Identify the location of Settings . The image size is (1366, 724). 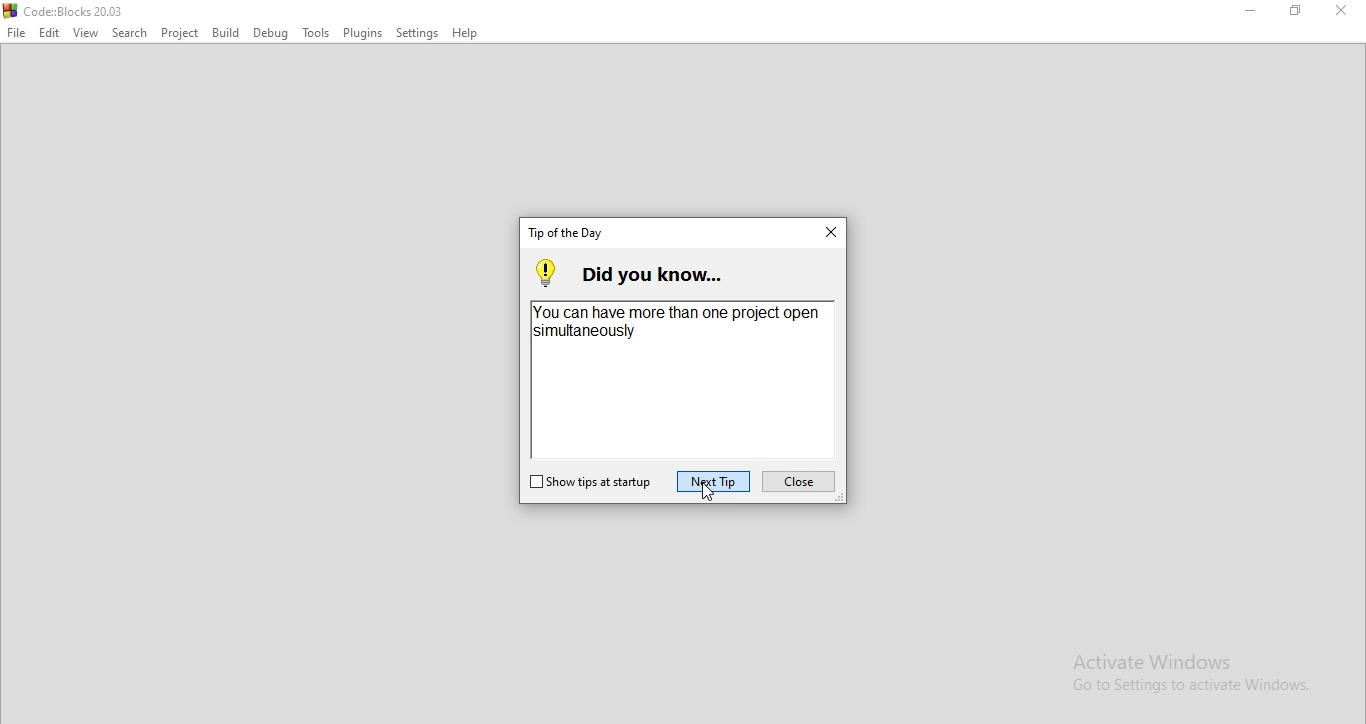
(414, 32).